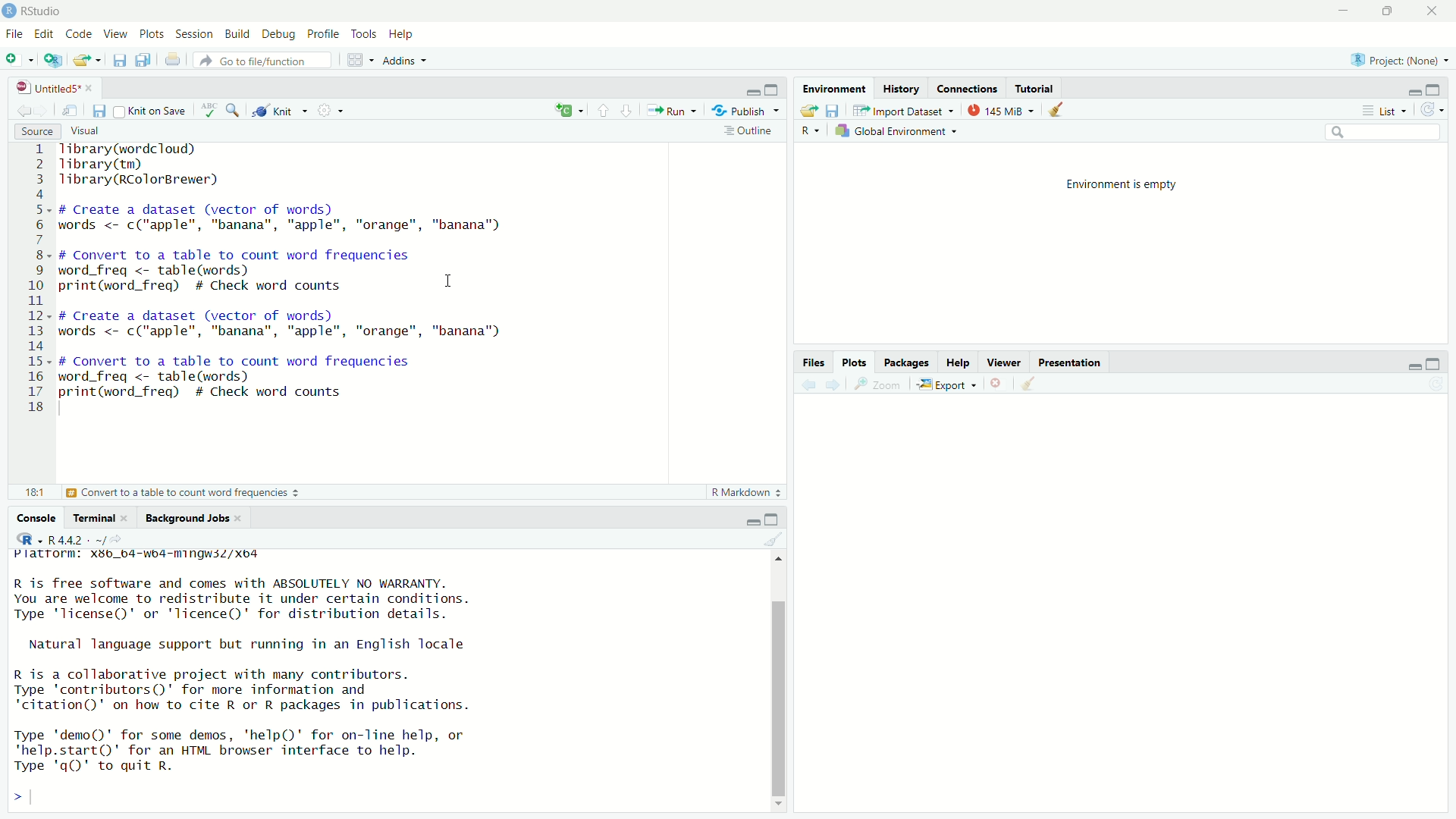  Describe the element at coordinates (833, 111) in the screenshot. I see `Save ` at that location.